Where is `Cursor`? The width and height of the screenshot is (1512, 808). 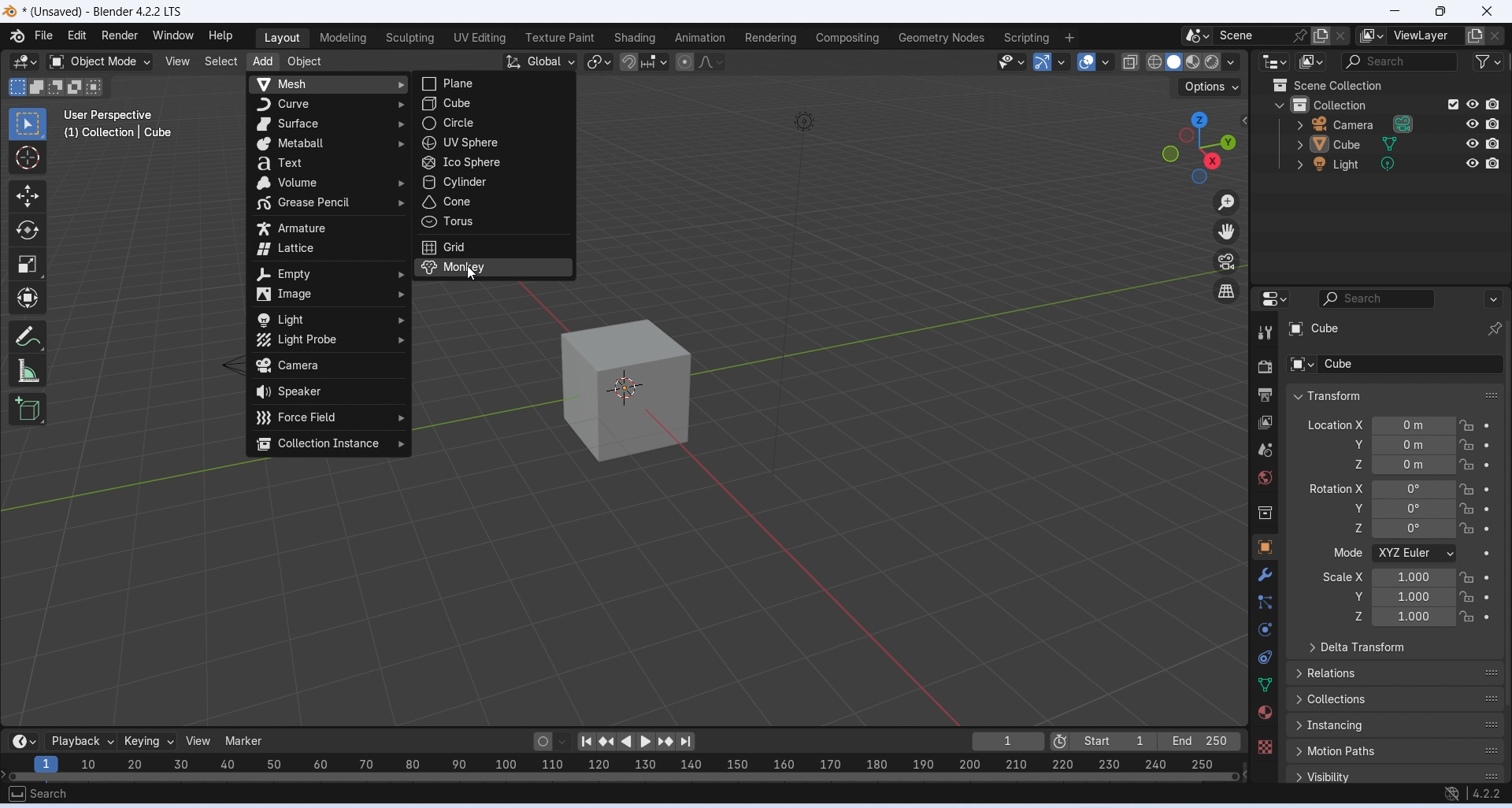 Cursor is located at coordinates (27, 158).